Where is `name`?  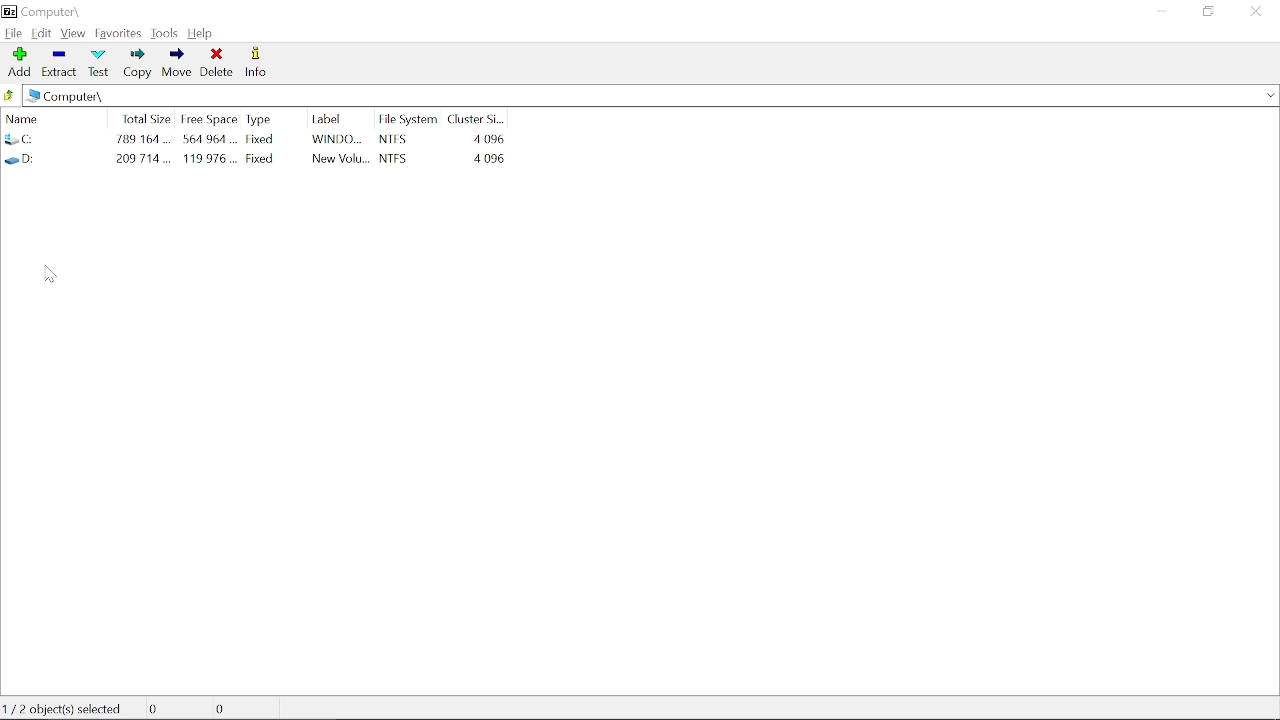
name is located at coordinates (50, 117).